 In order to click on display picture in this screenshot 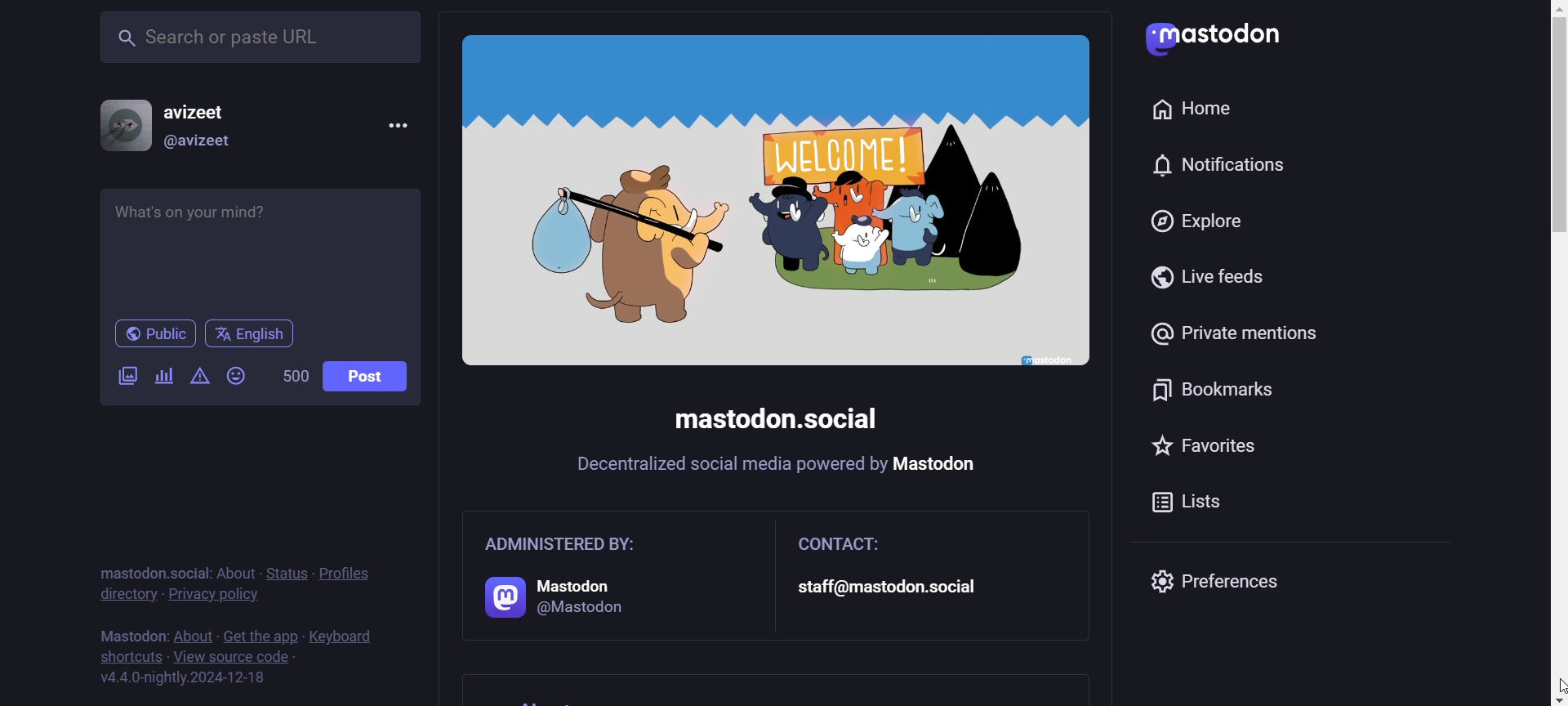, I will do `click(118, 123)`.